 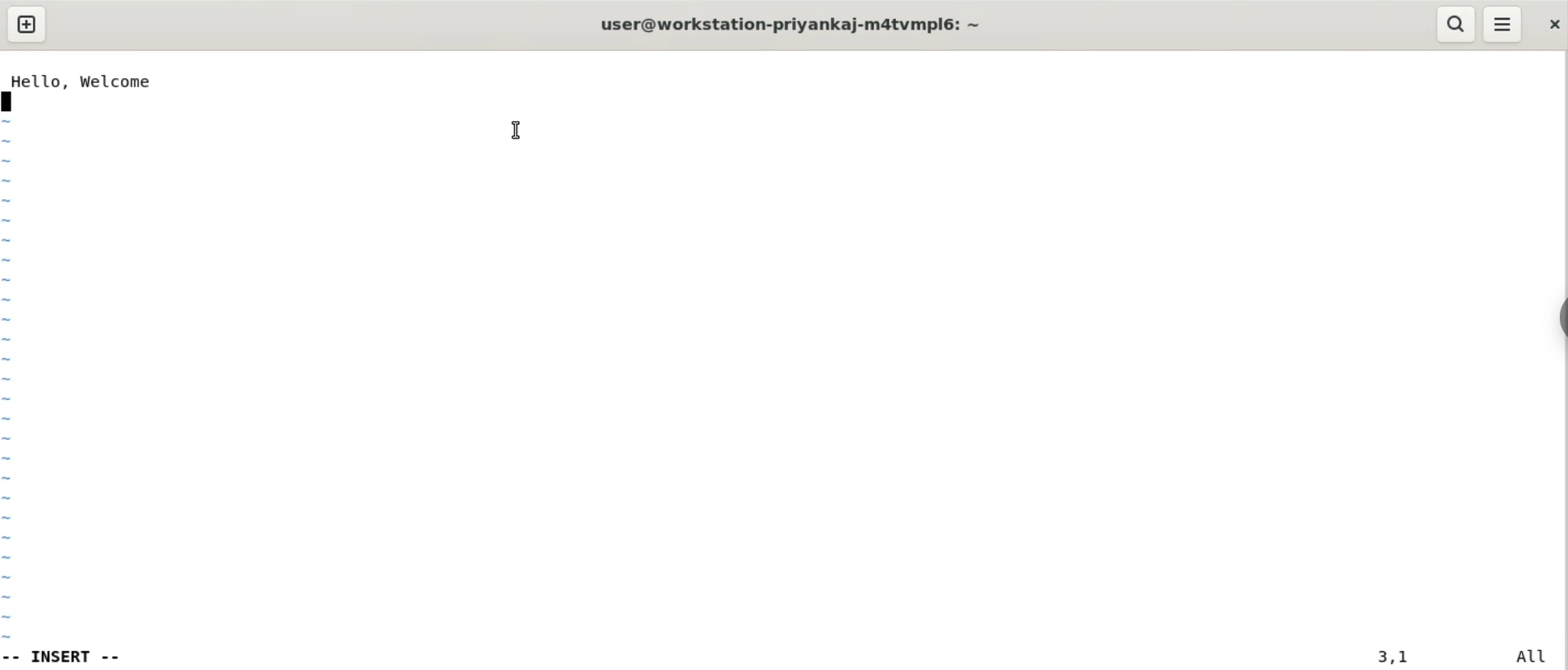 I want to click on sidebar, so click(x=1560, y=316).